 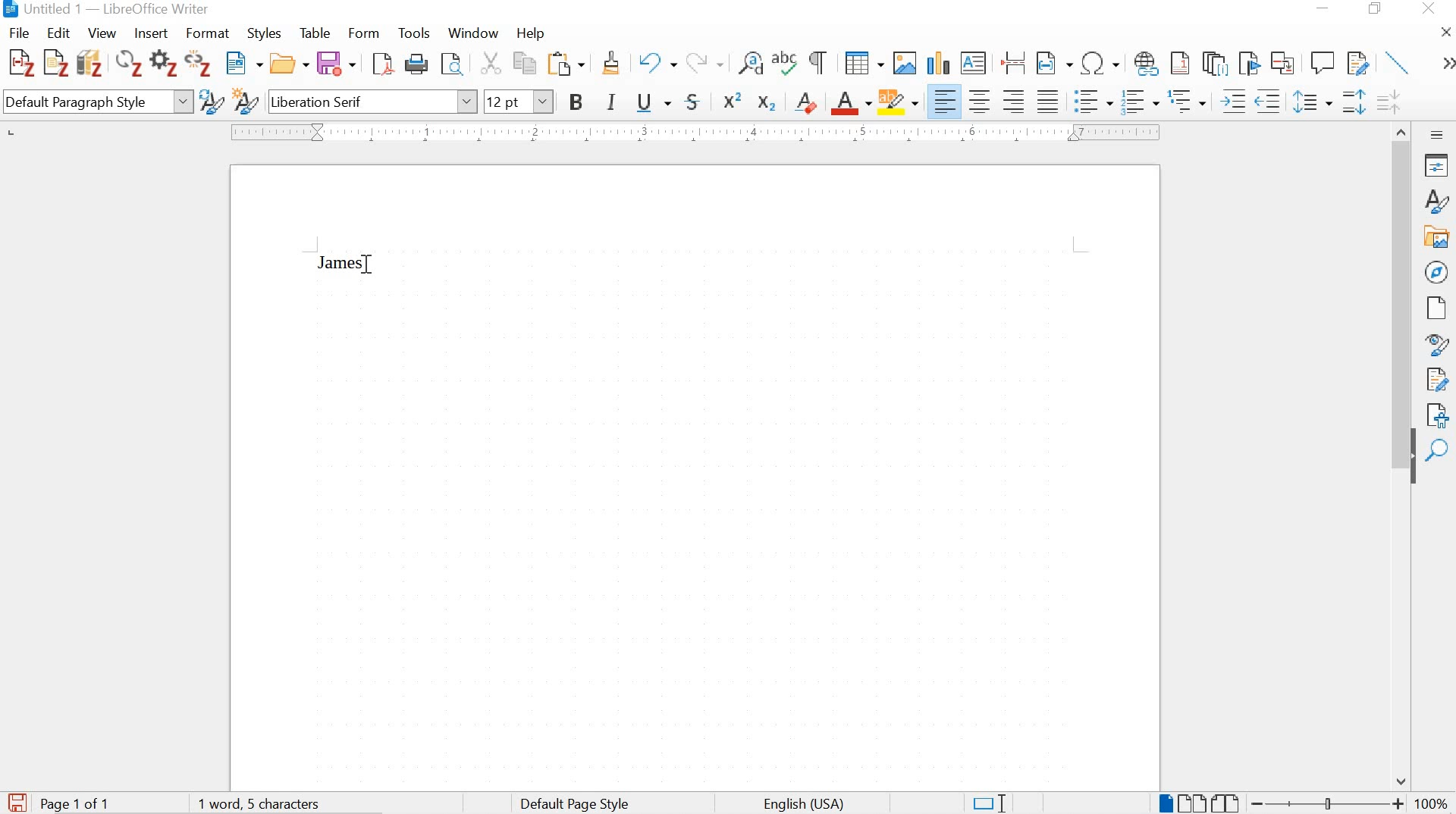 What do you see at coordinates (1013, 61) in the screenshot?
I see `insert page break` at bounding box center [1013, 61].